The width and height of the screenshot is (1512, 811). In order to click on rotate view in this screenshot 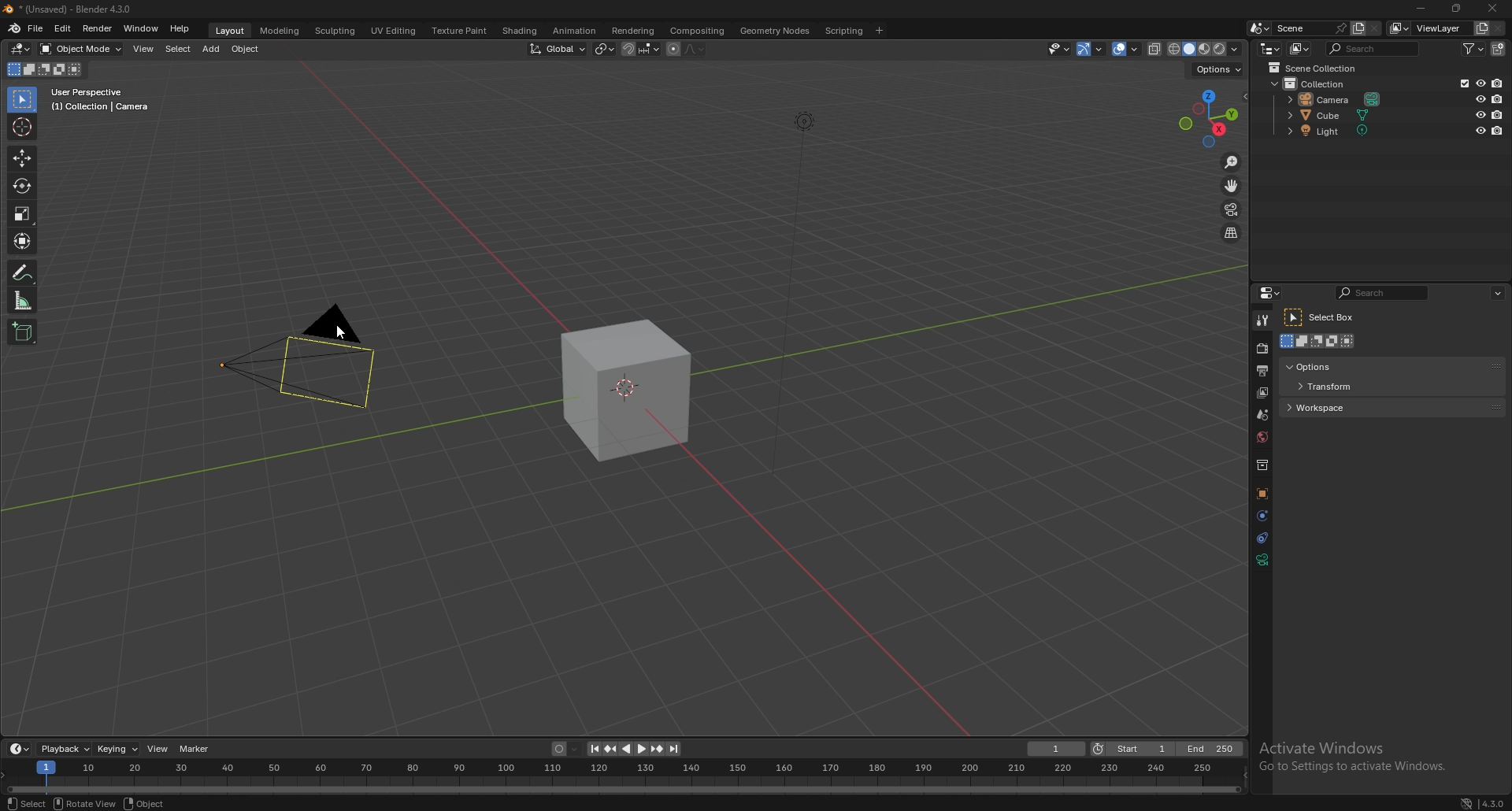, I will do `click(85, 803)`.